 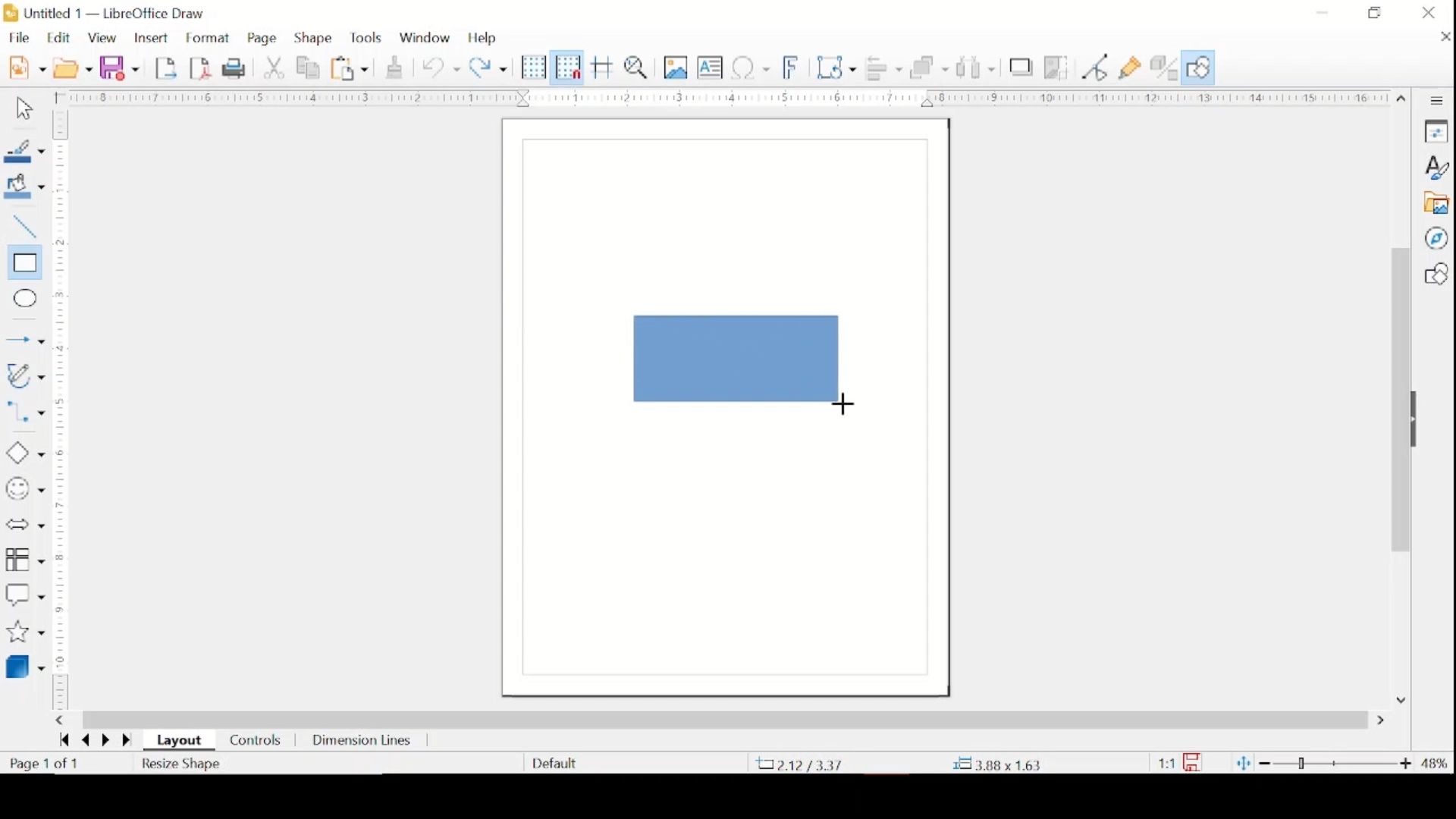 I want to click on previous, so click(x=83, y=741).